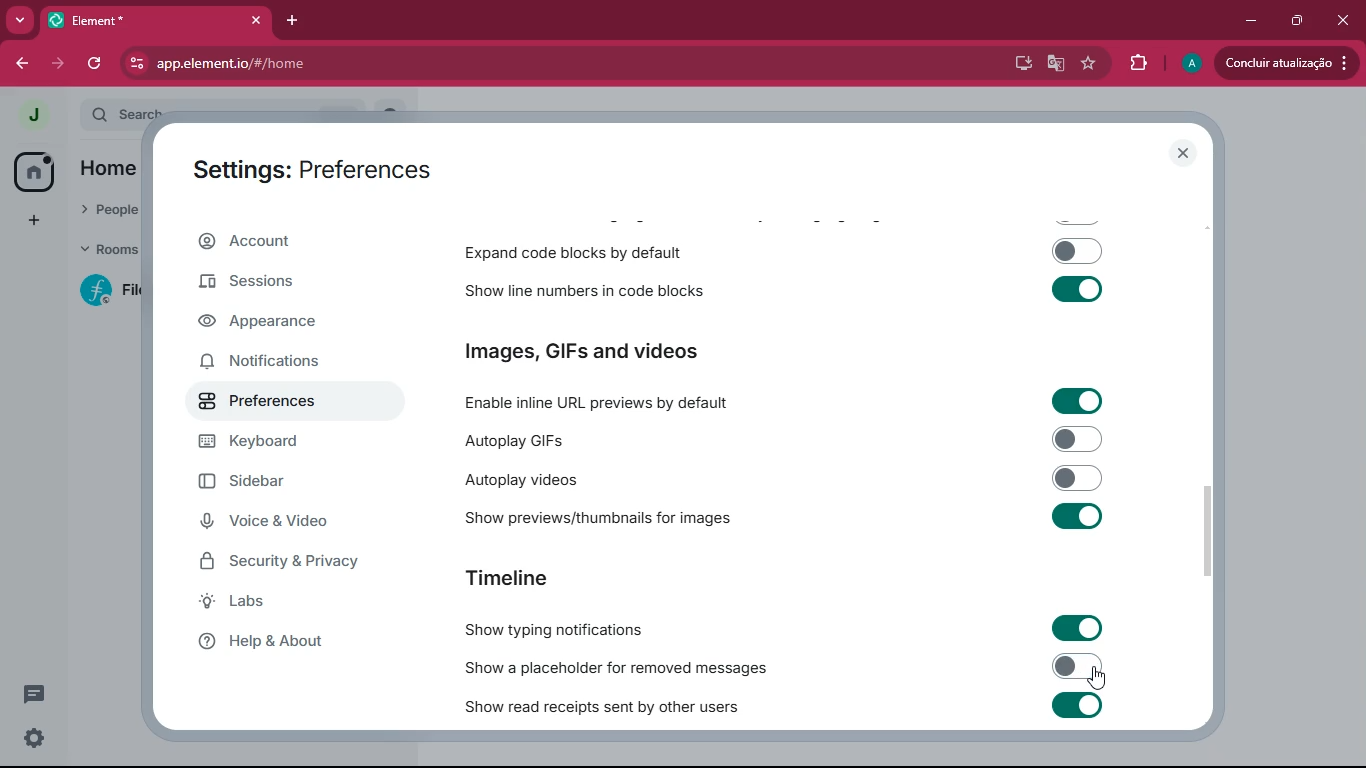 The width and height of the screenshot is (1366, 768). What do you see at coordinates (573, 629) in the screenshot?
I see `show typing notifications` at bounding box center [573, 629].